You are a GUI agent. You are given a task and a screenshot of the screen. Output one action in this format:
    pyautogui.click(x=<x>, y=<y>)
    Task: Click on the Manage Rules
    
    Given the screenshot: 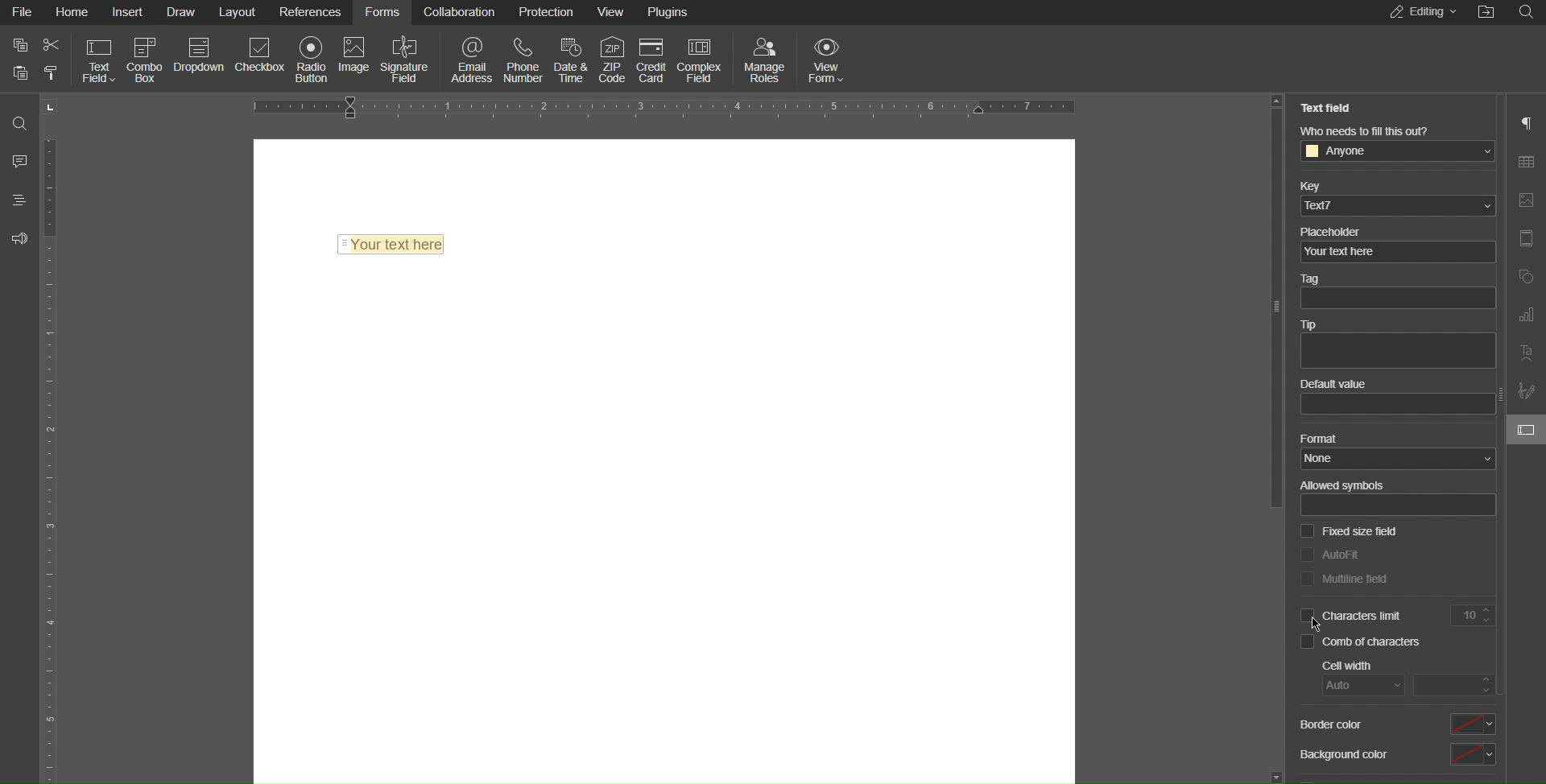 What is the action you would take?
    pyautogui.click(x=766, y=58)
    